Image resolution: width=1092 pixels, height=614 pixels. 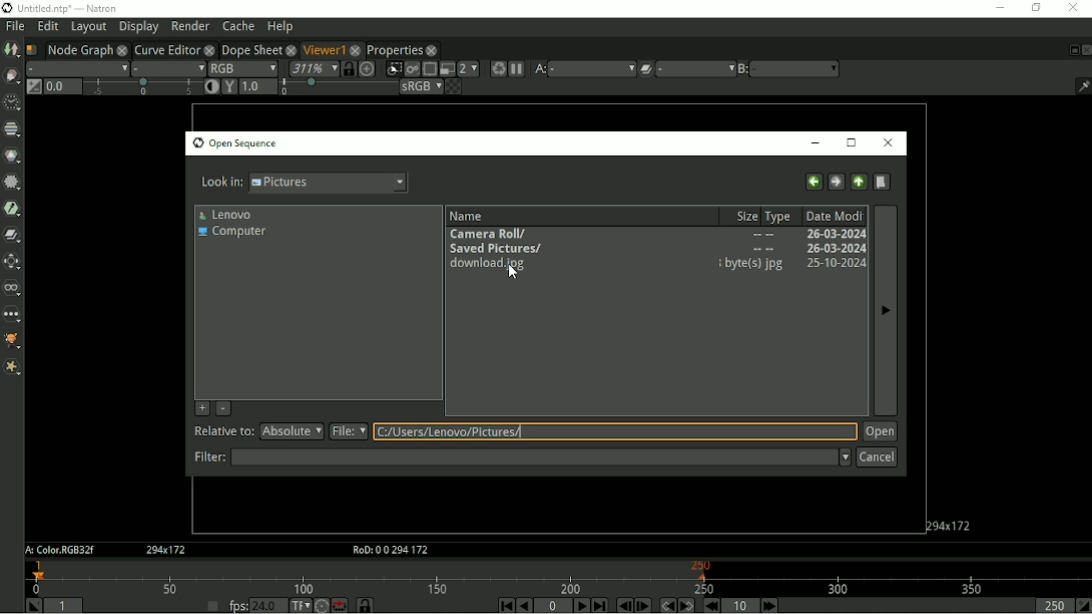 I want to click on Alpha channel, so click(x=169, y=68).